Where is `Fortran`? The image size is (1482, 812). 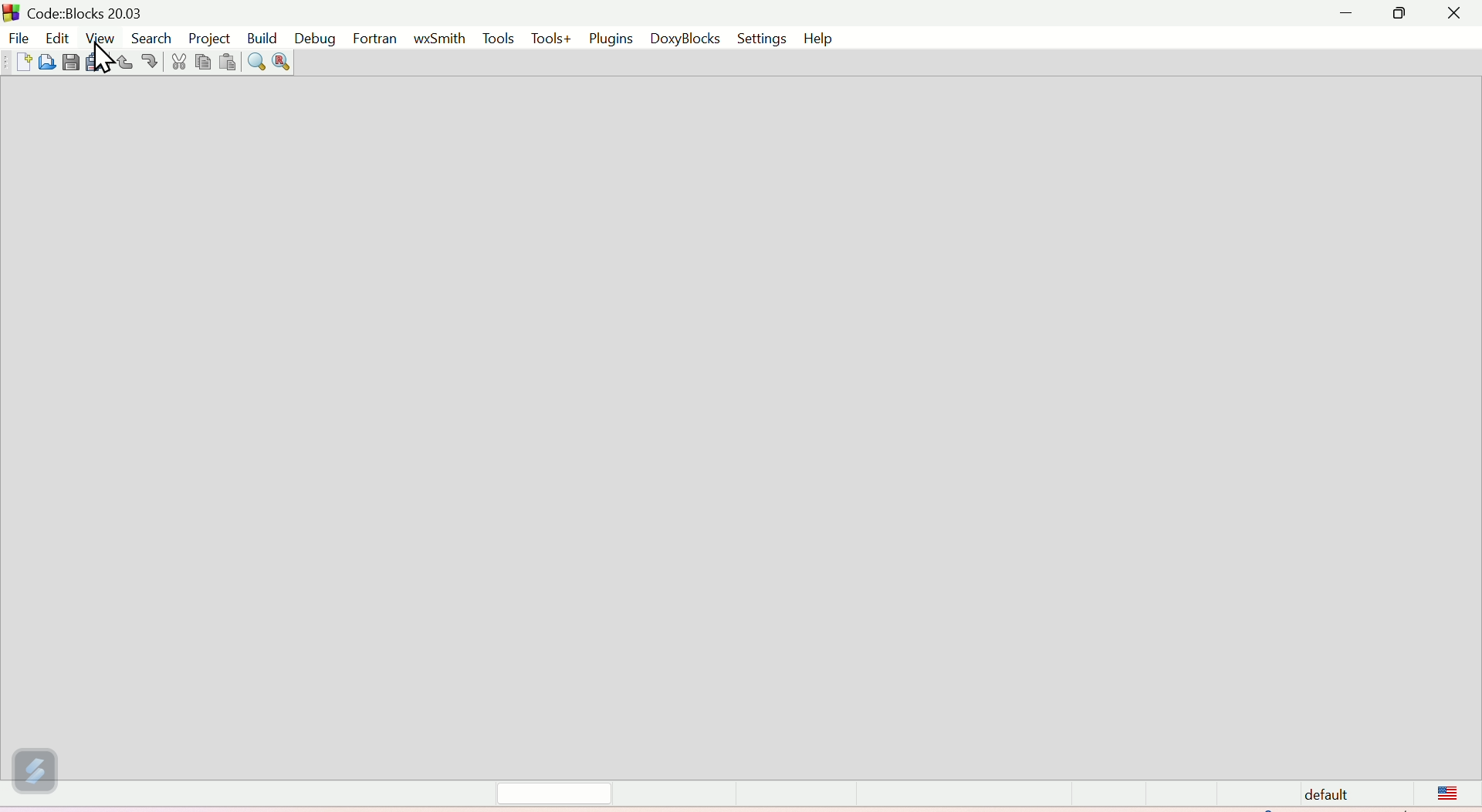 Fortran is located at coordinates (374, 38).